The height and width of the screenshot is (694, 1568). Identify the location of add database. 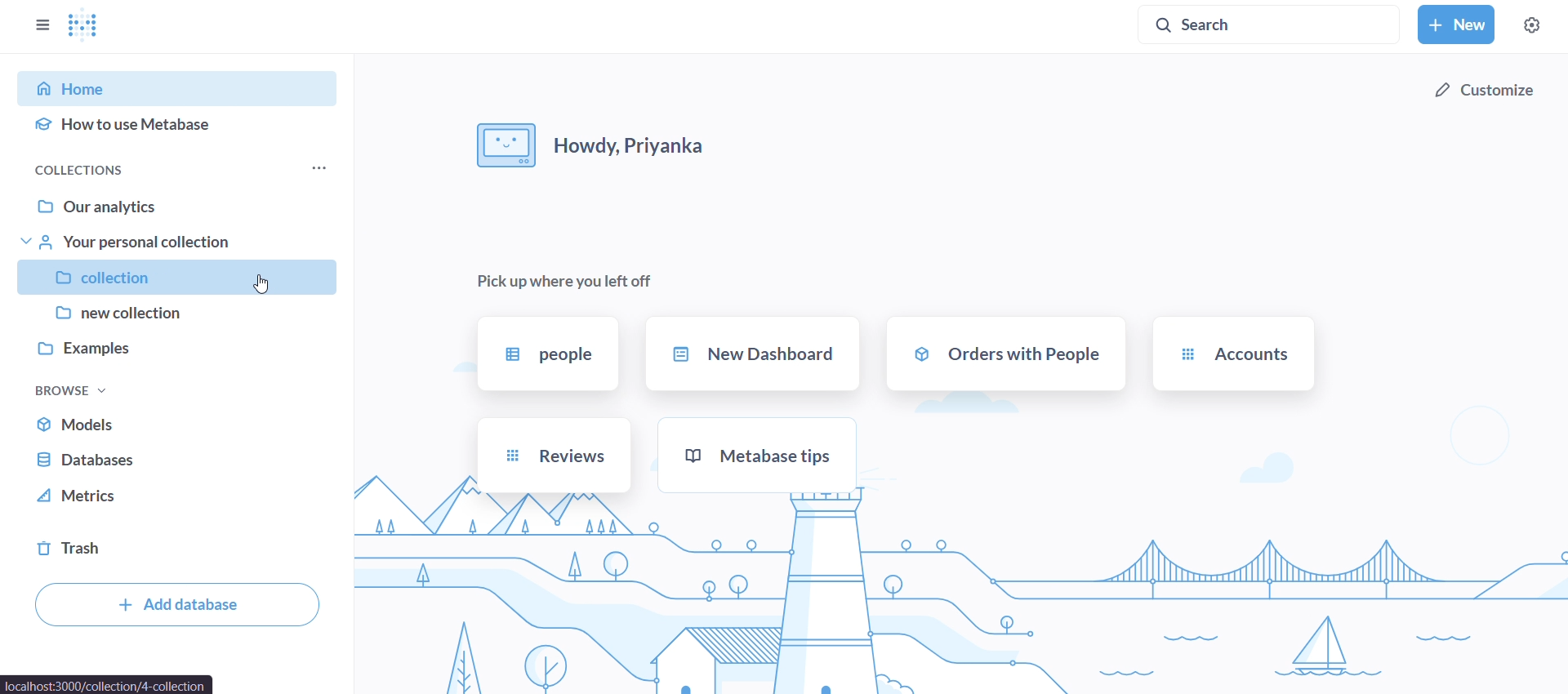
(175, 606).